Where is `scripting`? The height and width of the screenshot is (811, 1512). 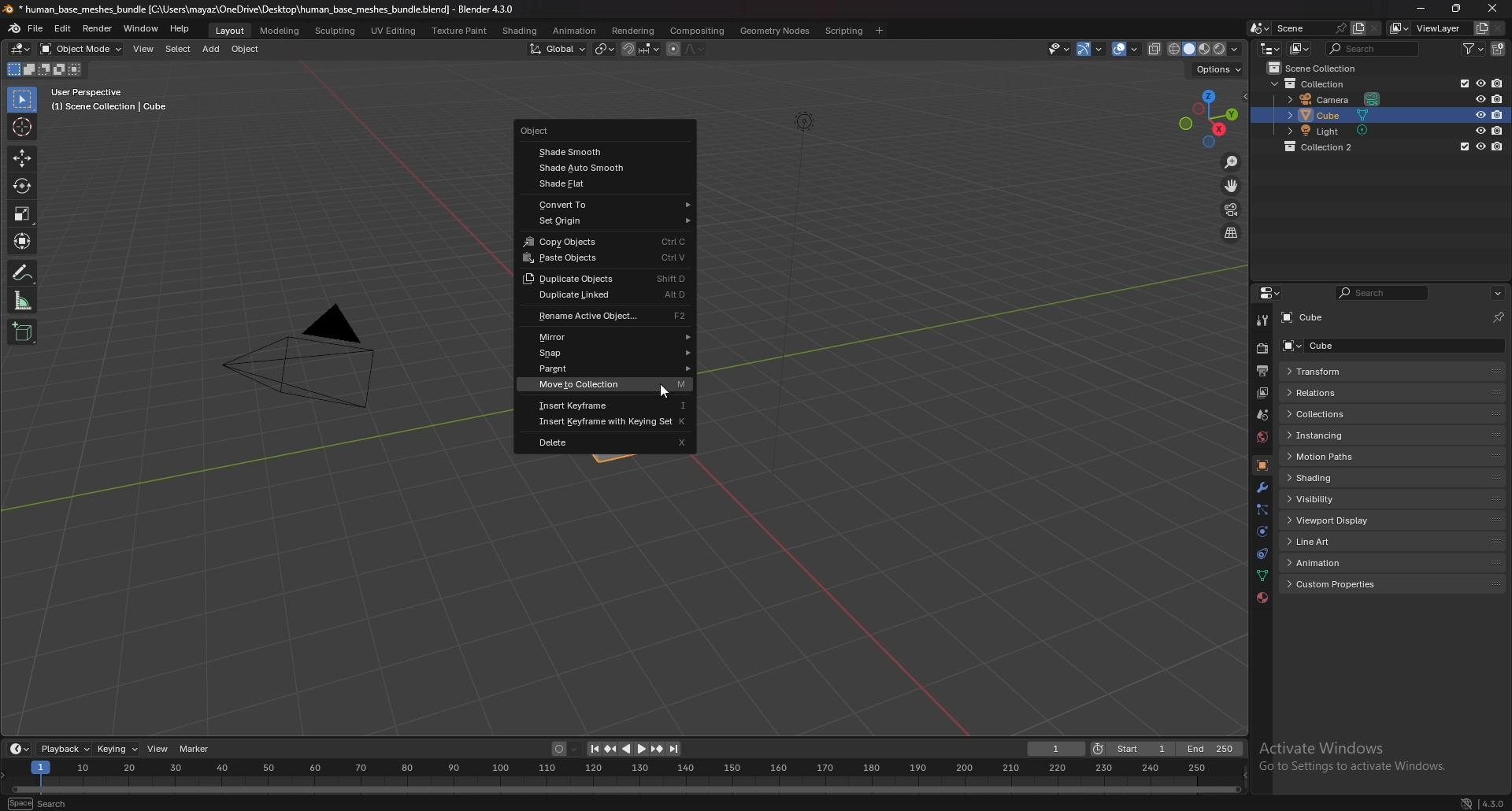
scripting is located at coordinates (845, 31).